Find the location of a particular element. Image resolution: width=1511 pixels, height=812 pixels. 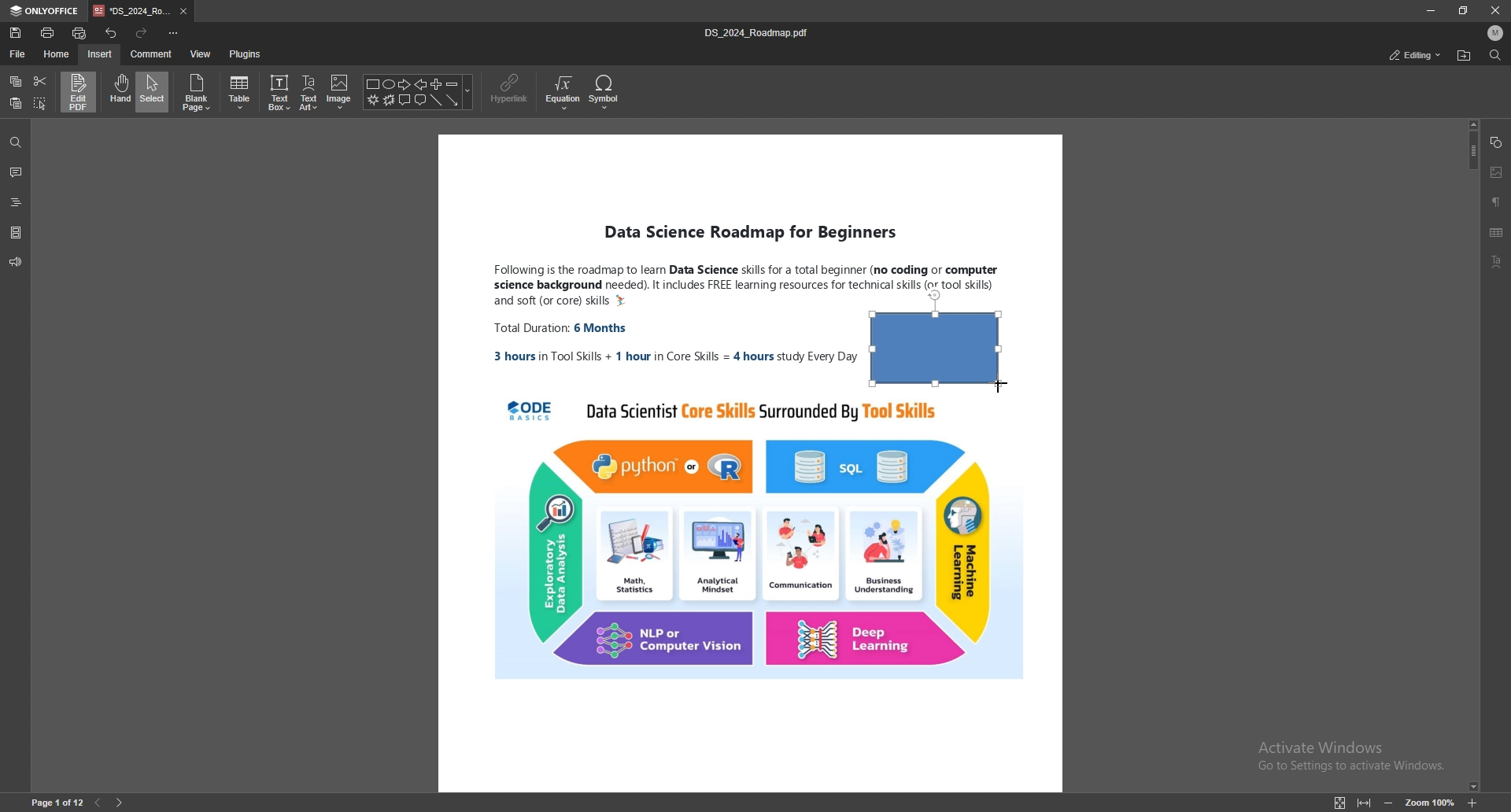

find is located at coordinates (1494, 55).